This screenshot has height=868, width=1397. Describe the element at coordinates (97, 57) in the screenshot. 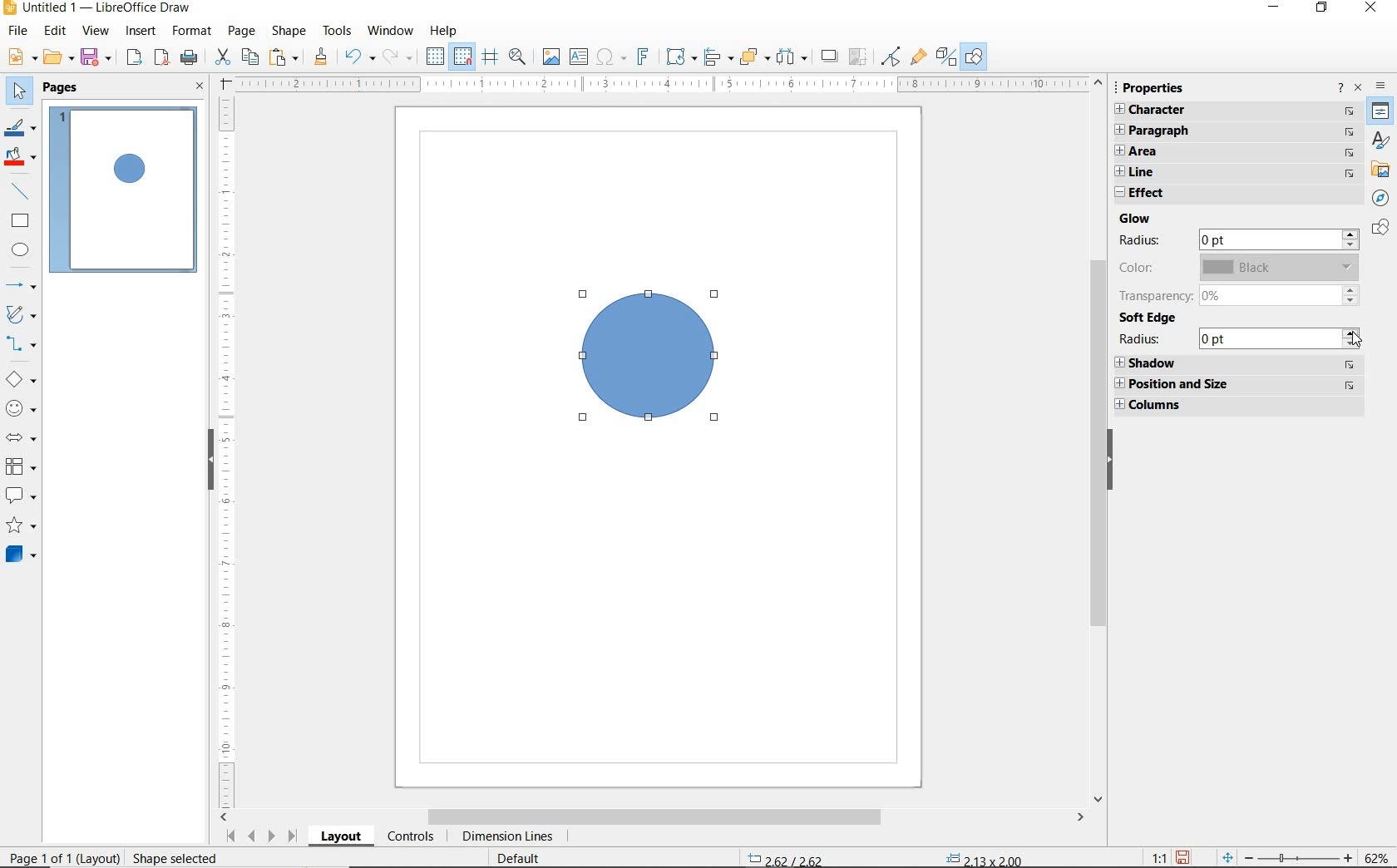

I see `SAVE` at that location.